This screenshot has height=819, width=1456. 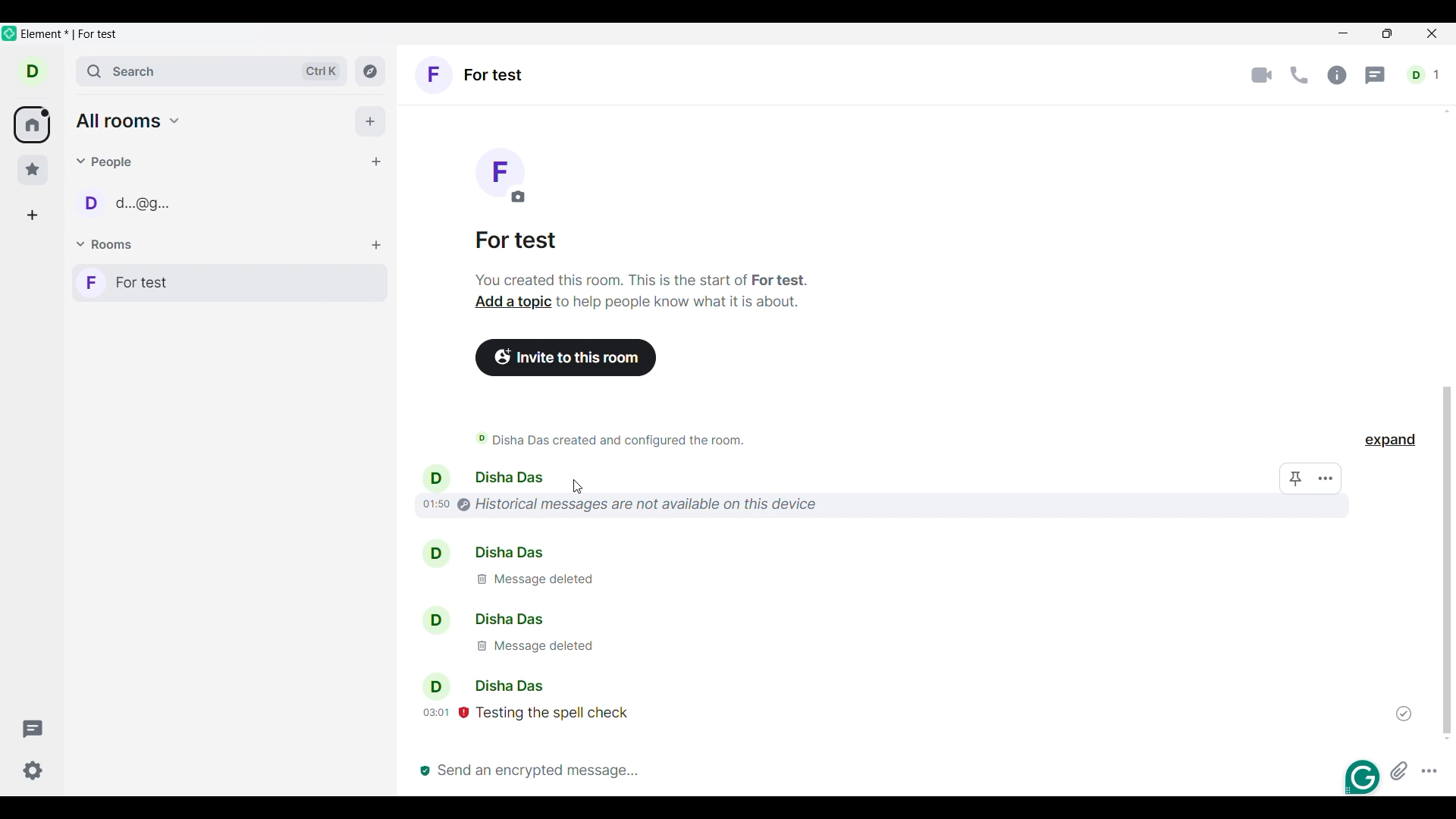 I want to click on Attachment, so click(x=1399, y=770).